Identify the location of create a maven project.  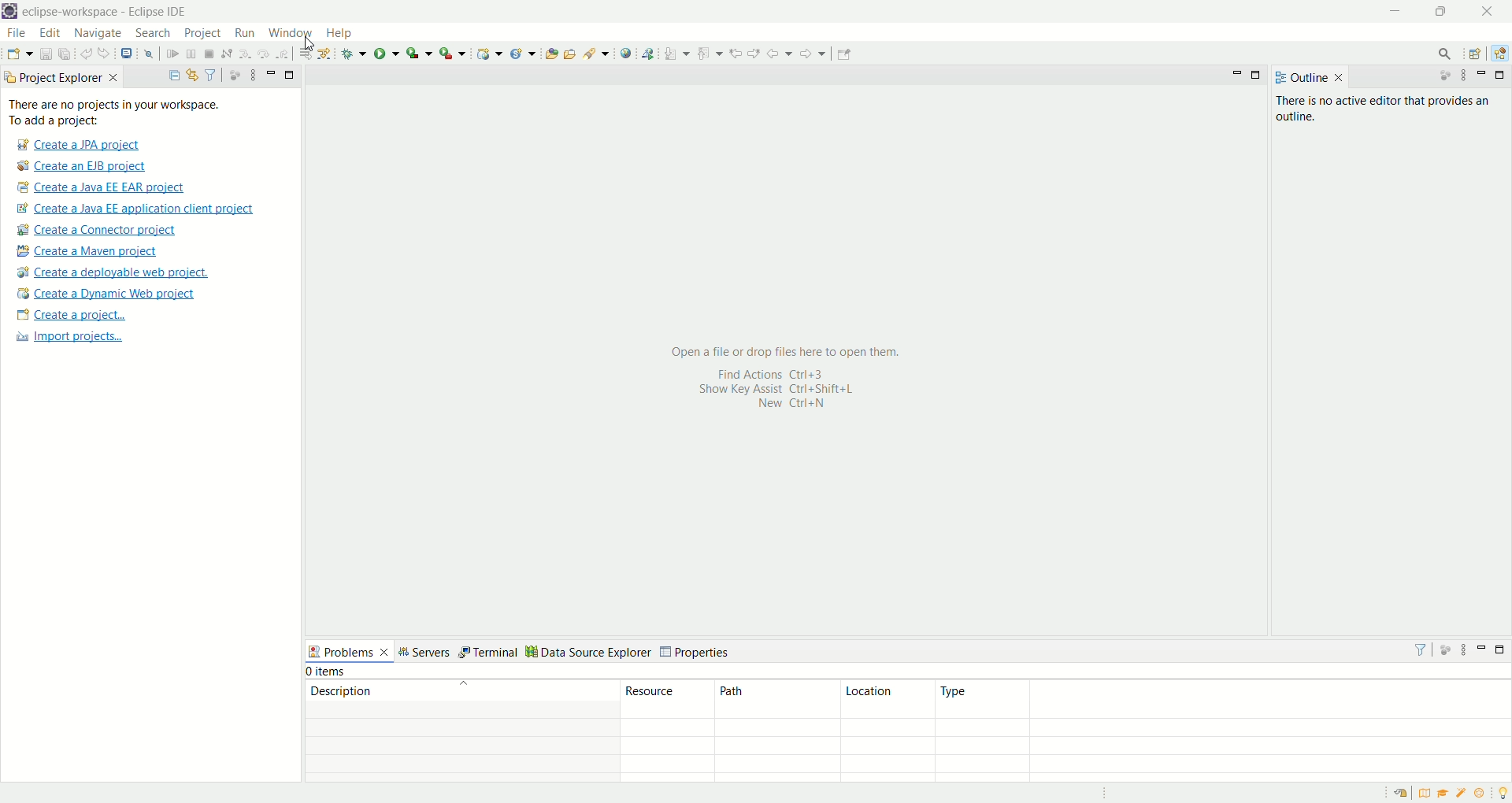
(93, 250).